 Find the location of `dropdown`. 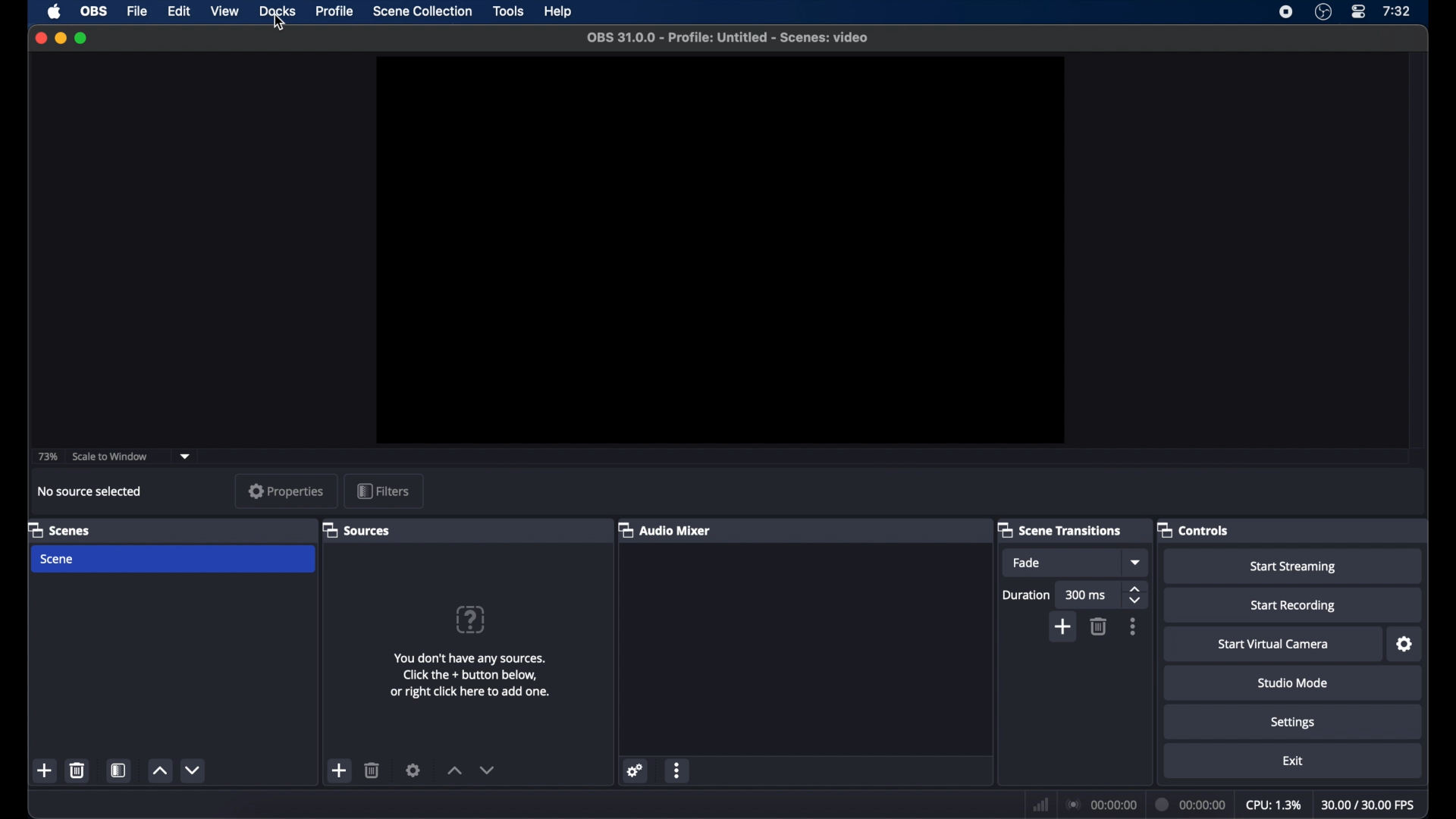

dropdown is located at coordinates (188, 455).